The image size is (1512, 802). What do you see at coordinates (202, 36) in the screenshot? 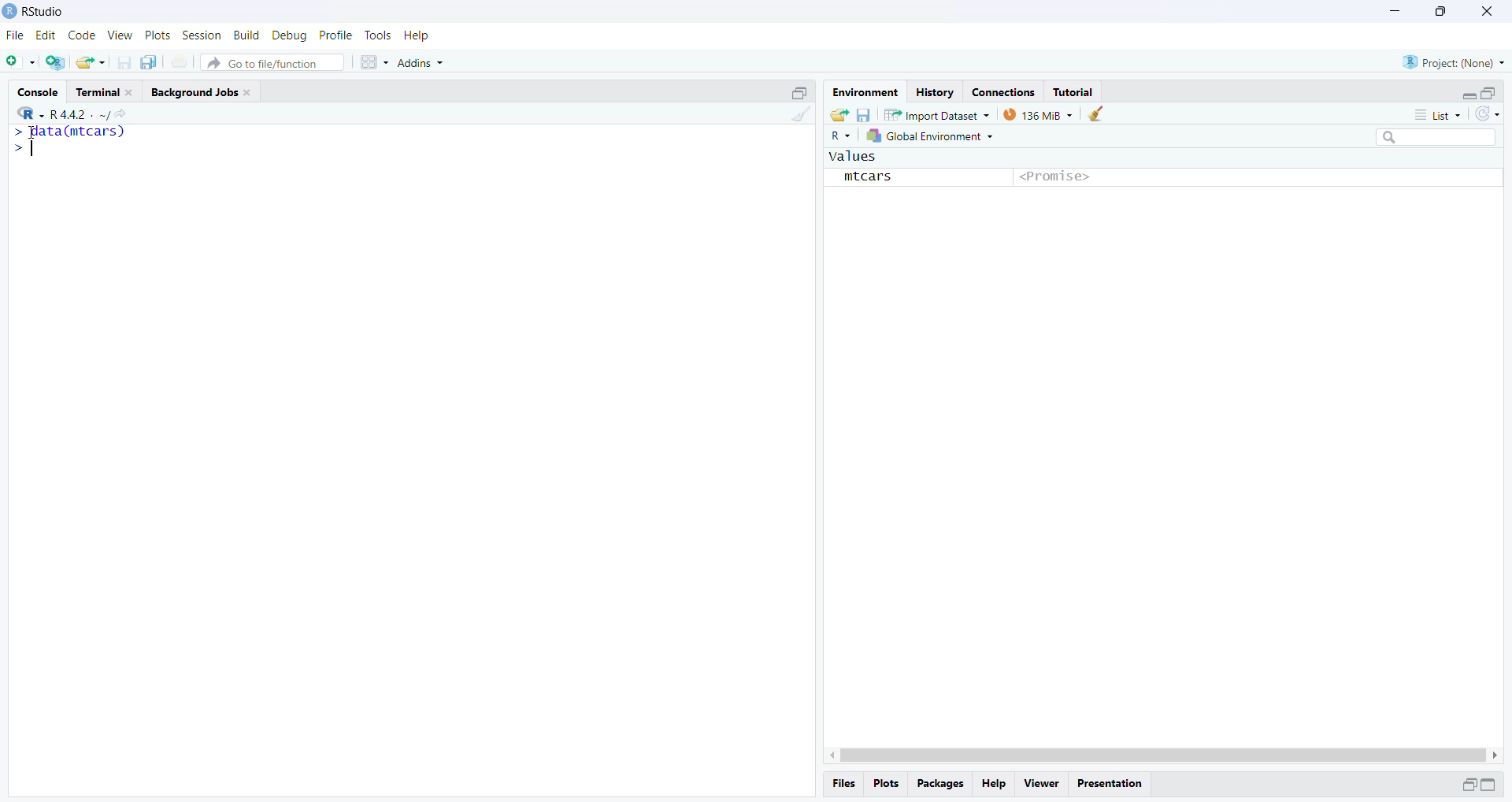
I see `Session` at bounding box center [202, 36].